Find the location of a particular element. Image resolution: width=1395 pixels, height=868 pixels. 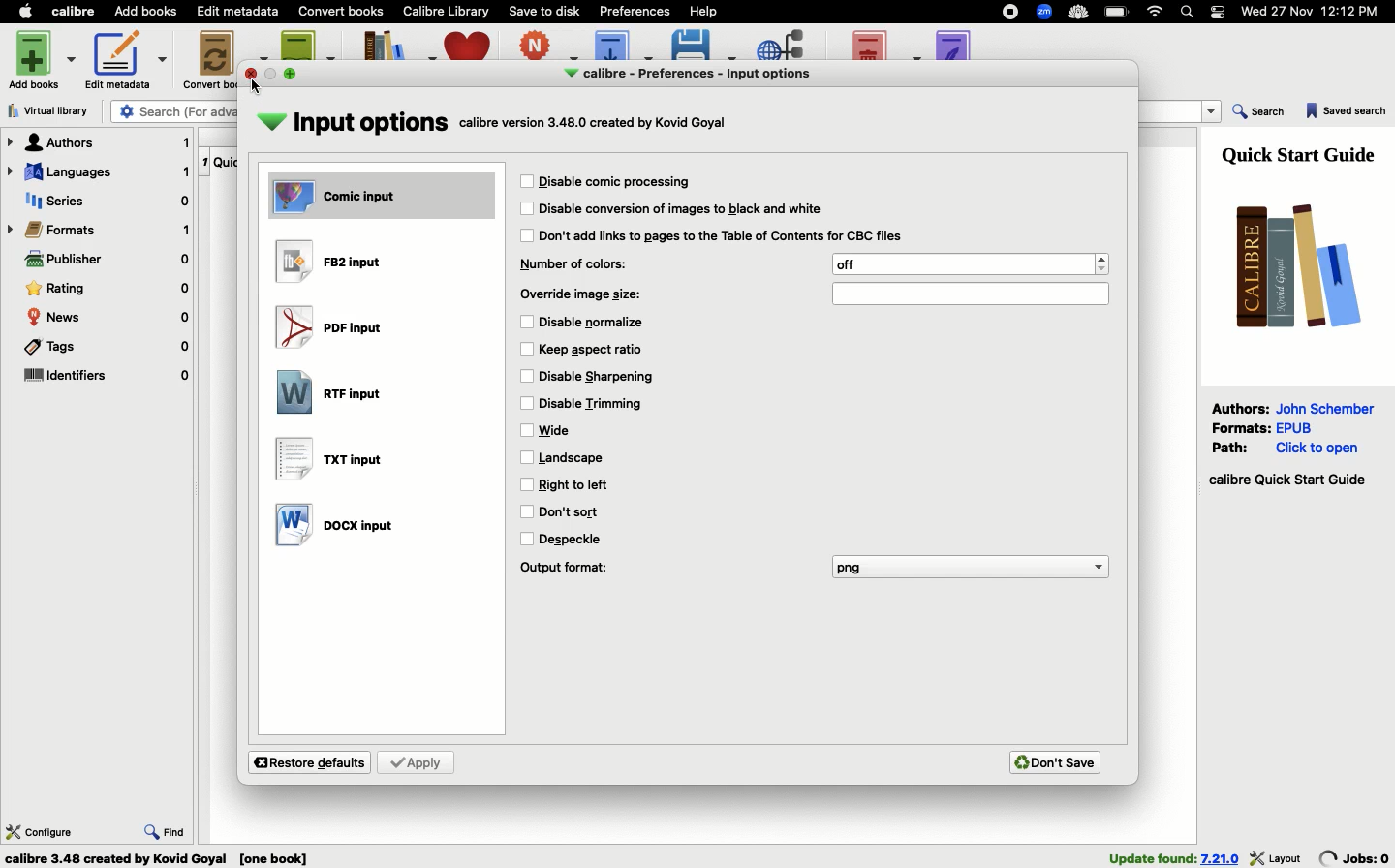

Don't sort is located at coordinates (574, 511).